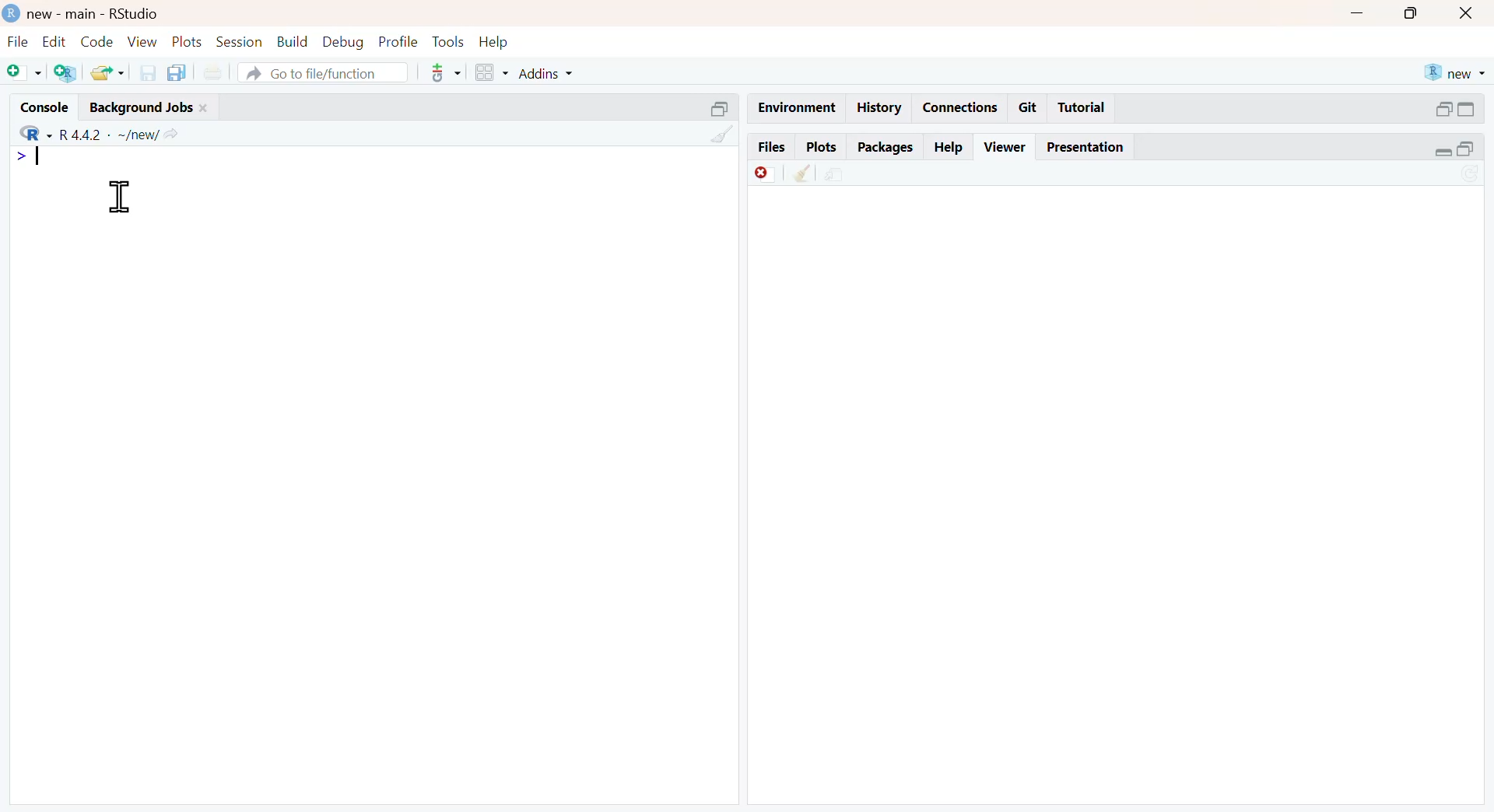 The image size is (1494, 812). What do you see at coordinates (450, 41) in the screenshot?
I see `tools` at bounding box center [450, 41].